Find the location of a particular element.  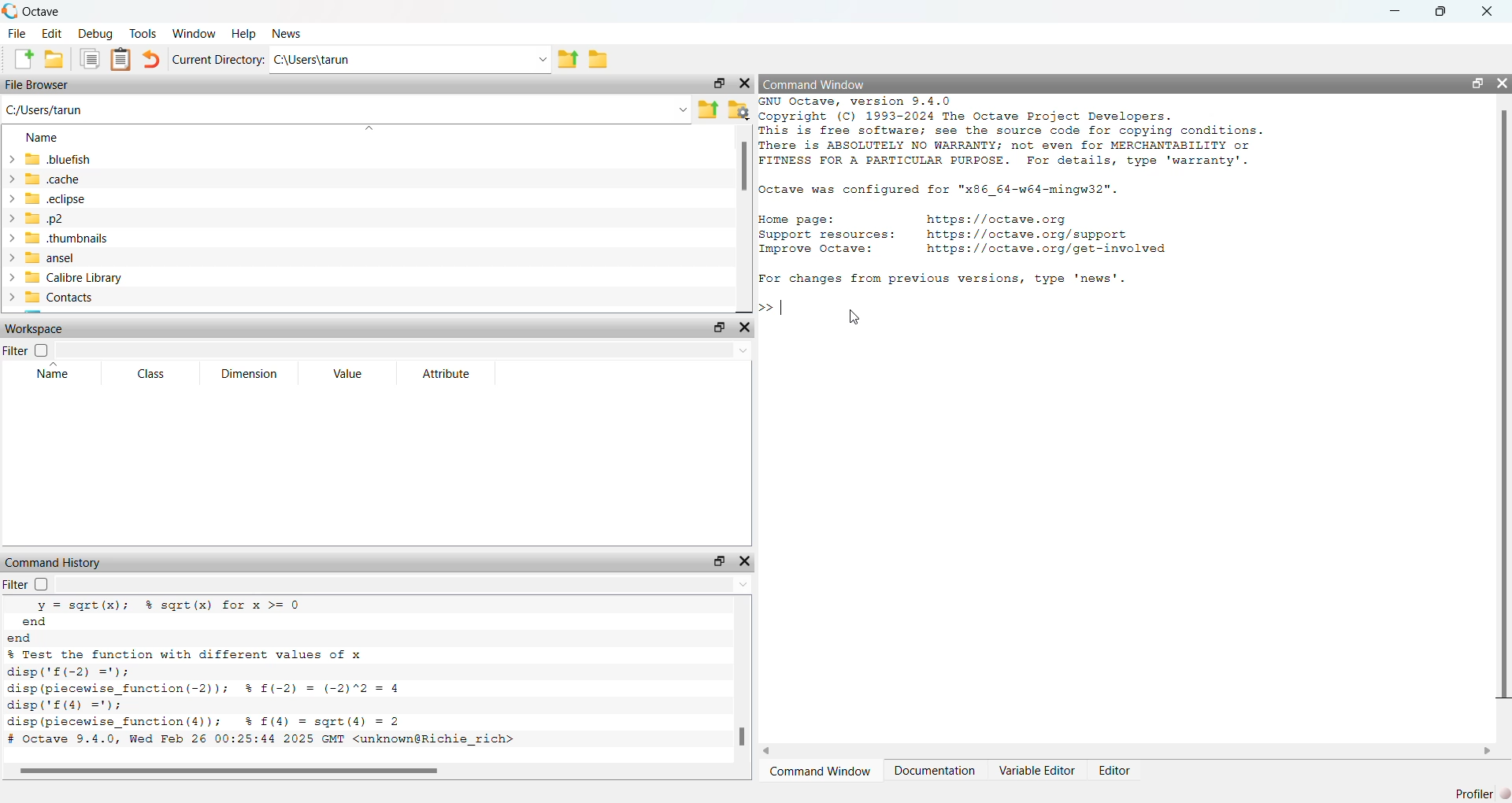

Cursor is located at coordinates (857, 317).